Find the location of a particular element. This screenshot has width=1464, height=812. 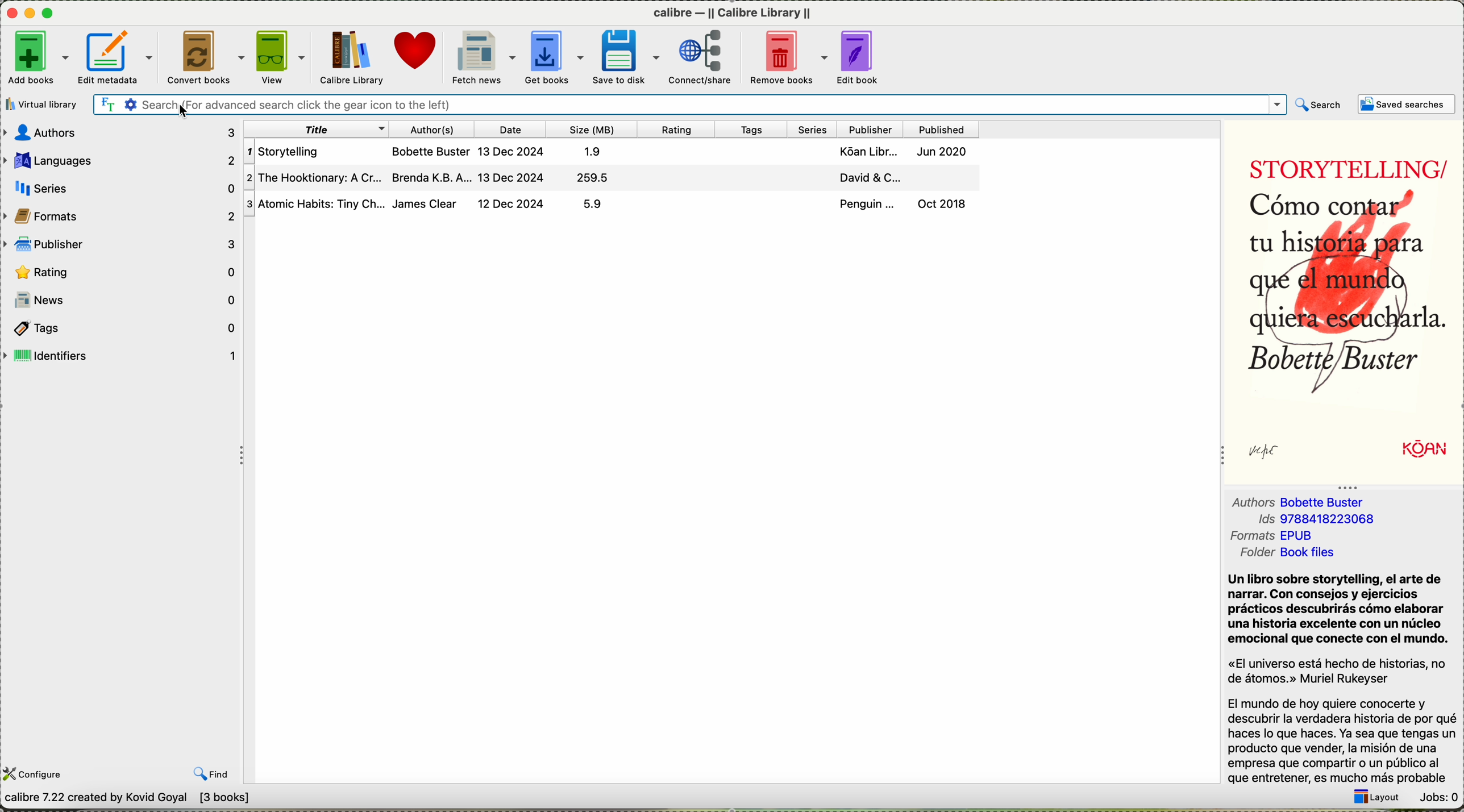

authors is located at coordinates (1249, 503).